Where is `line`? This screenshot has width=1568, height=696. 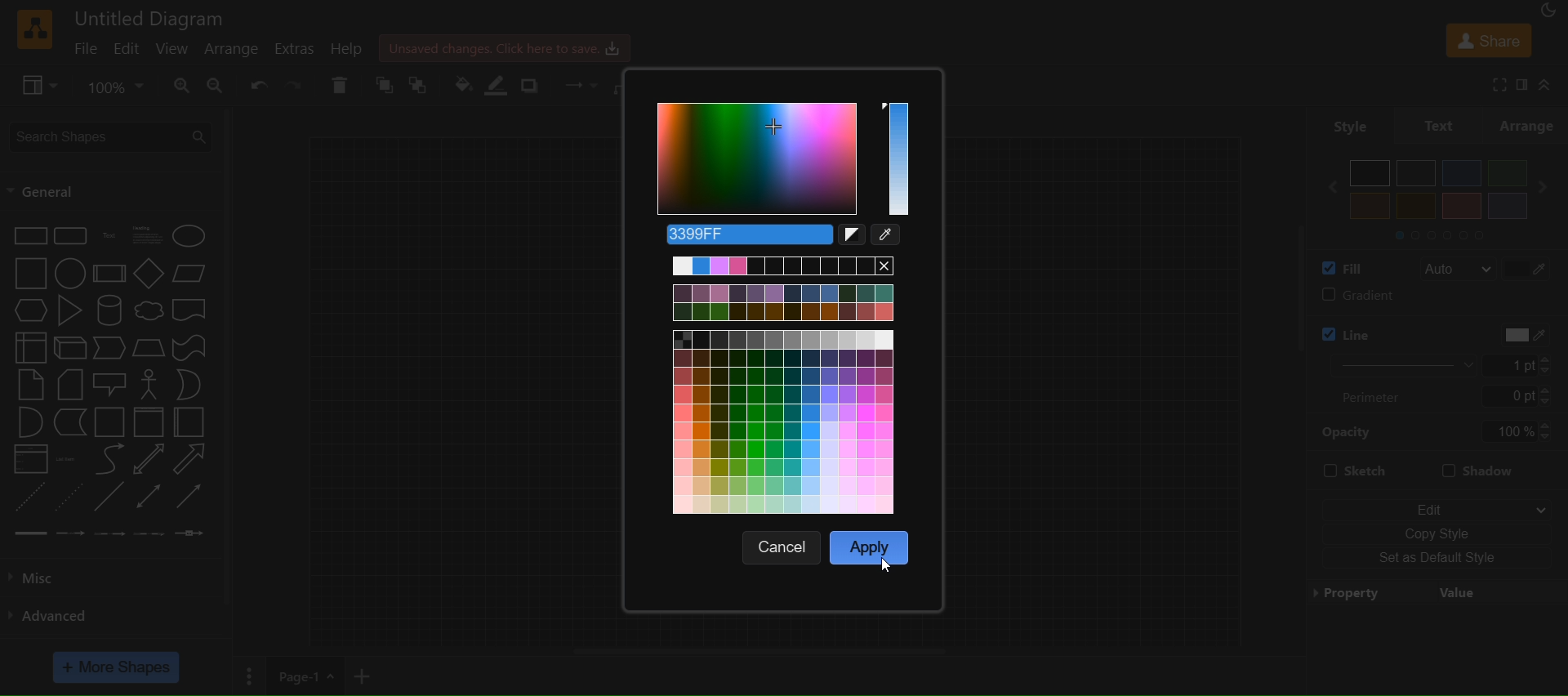 line is located at coordinates (109, 498).